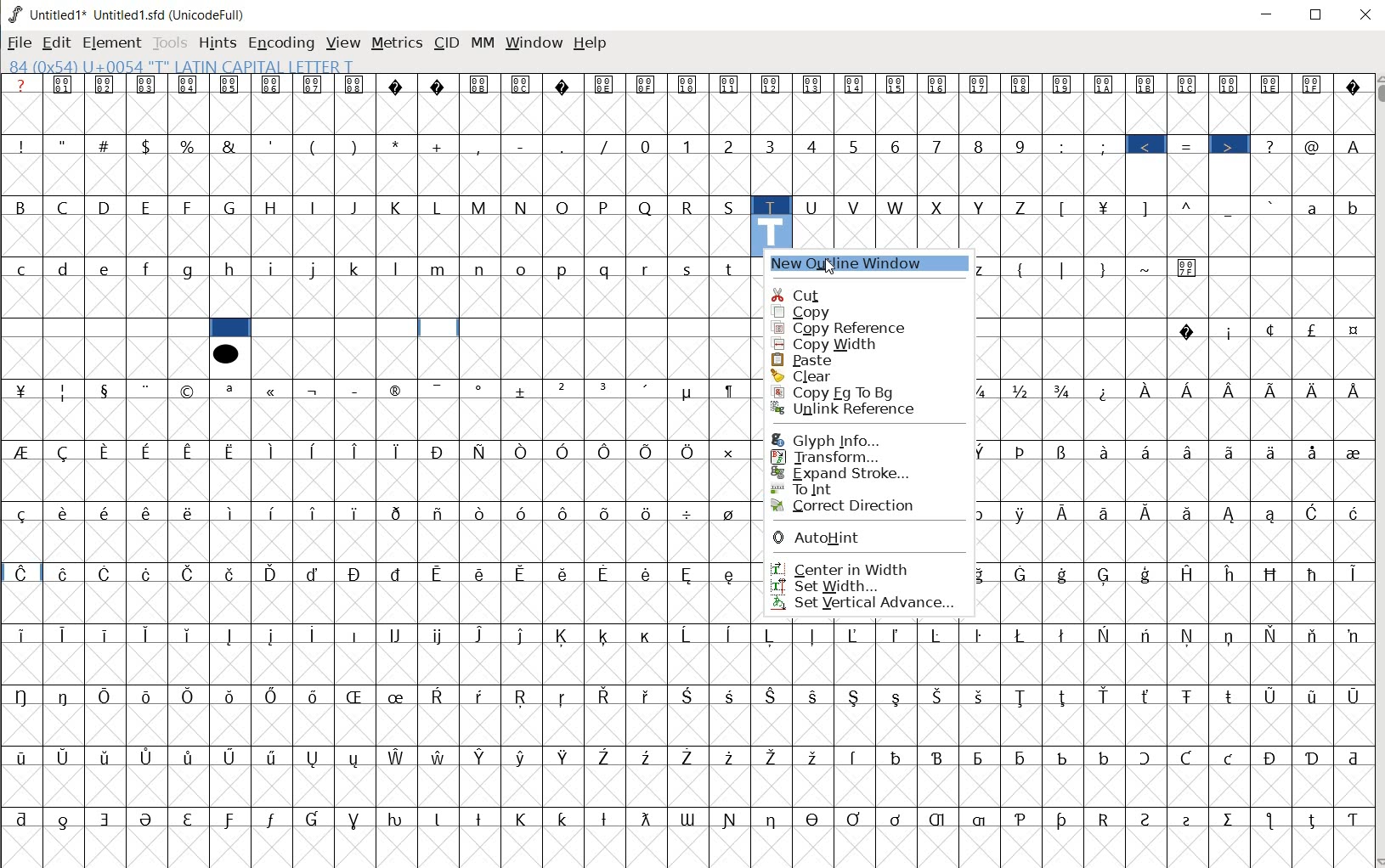 Image resolution: width=1385 pixels, height=868 pixels. I want to click on R, so click(690, 206).